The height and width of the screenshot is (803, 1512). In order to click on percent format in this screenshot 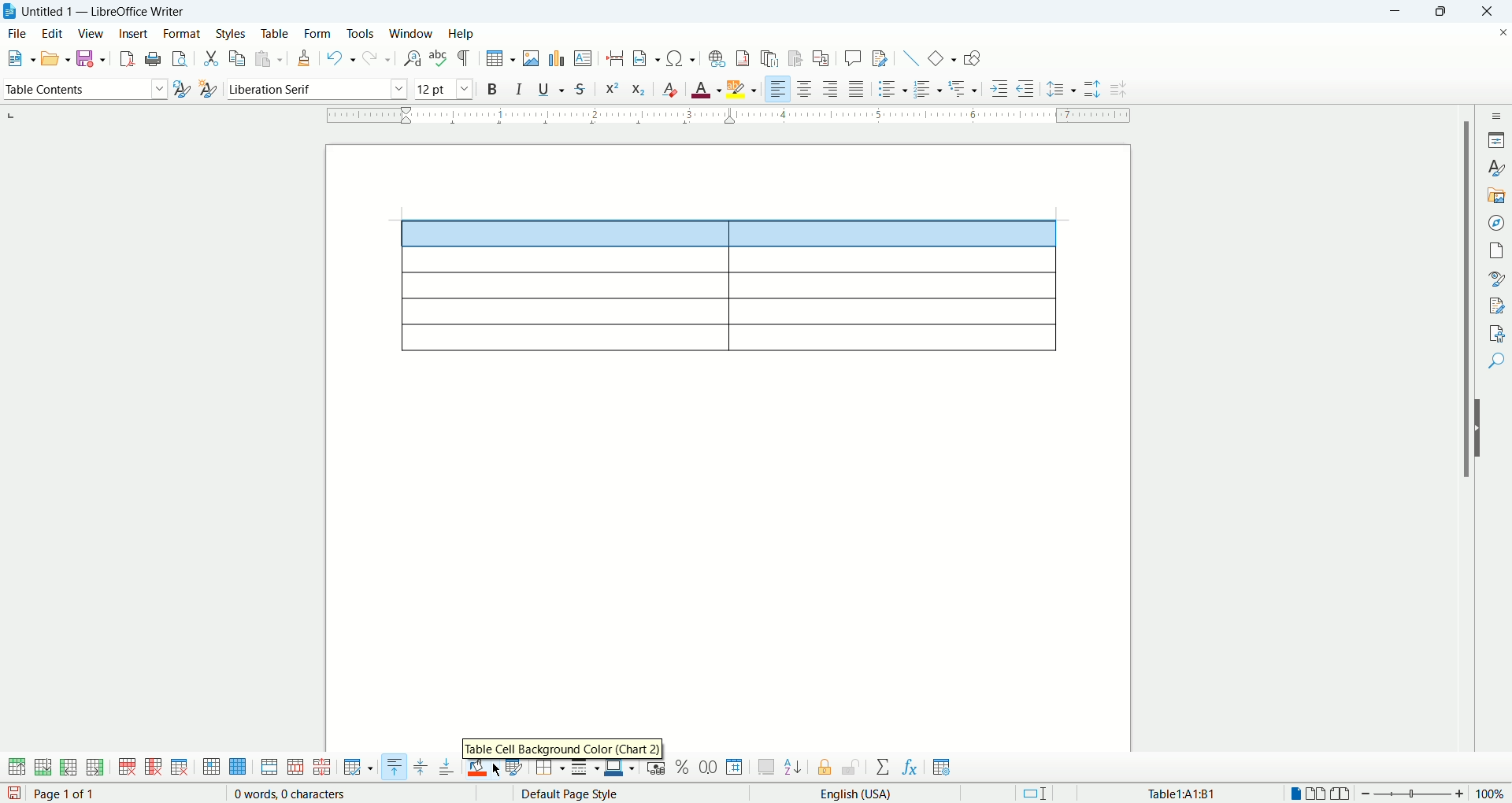, I will do `click(684, 767)`.